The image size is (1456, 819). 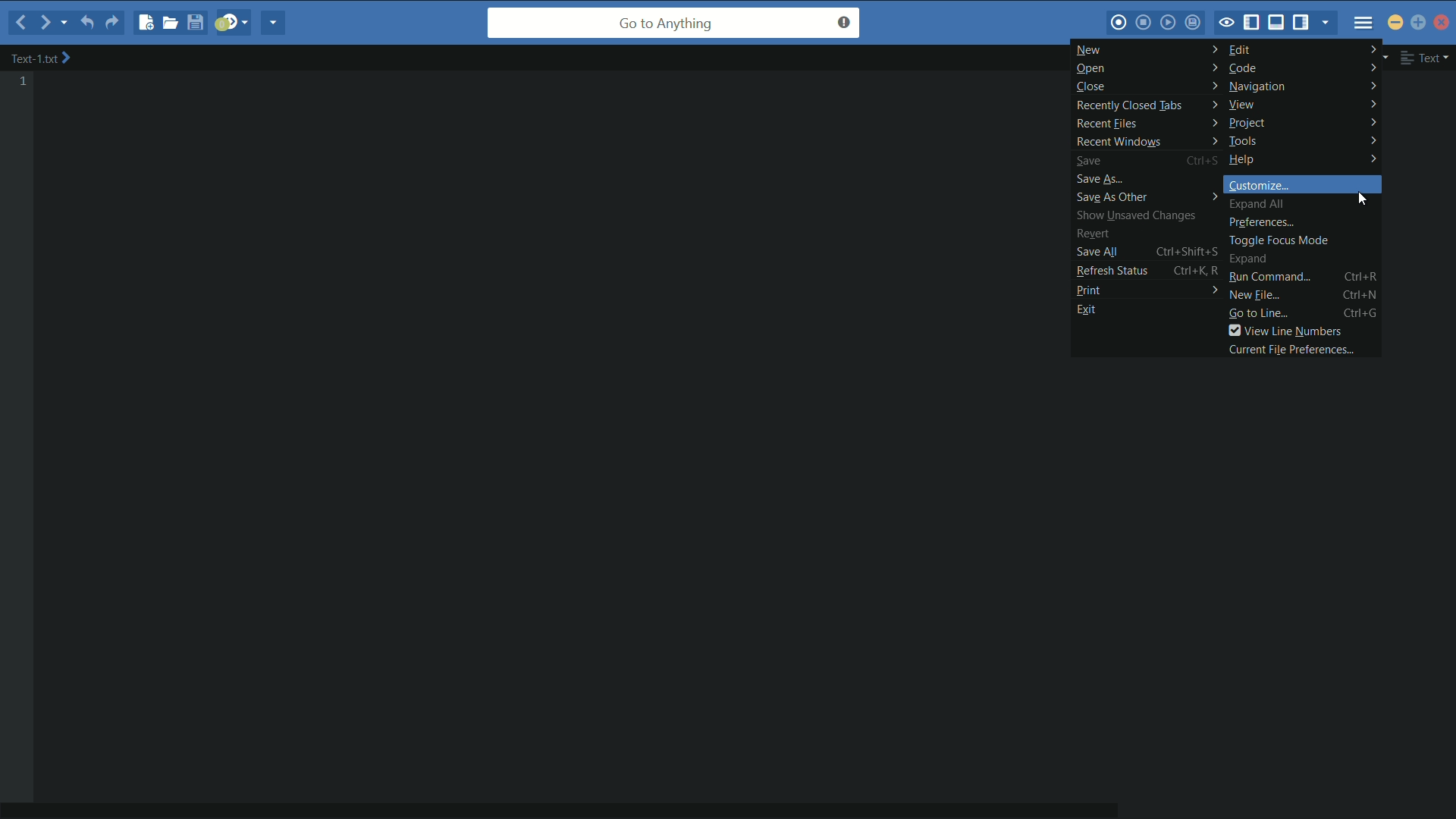 I want to click on show unsaved changes, so click(x=1134, y=215).